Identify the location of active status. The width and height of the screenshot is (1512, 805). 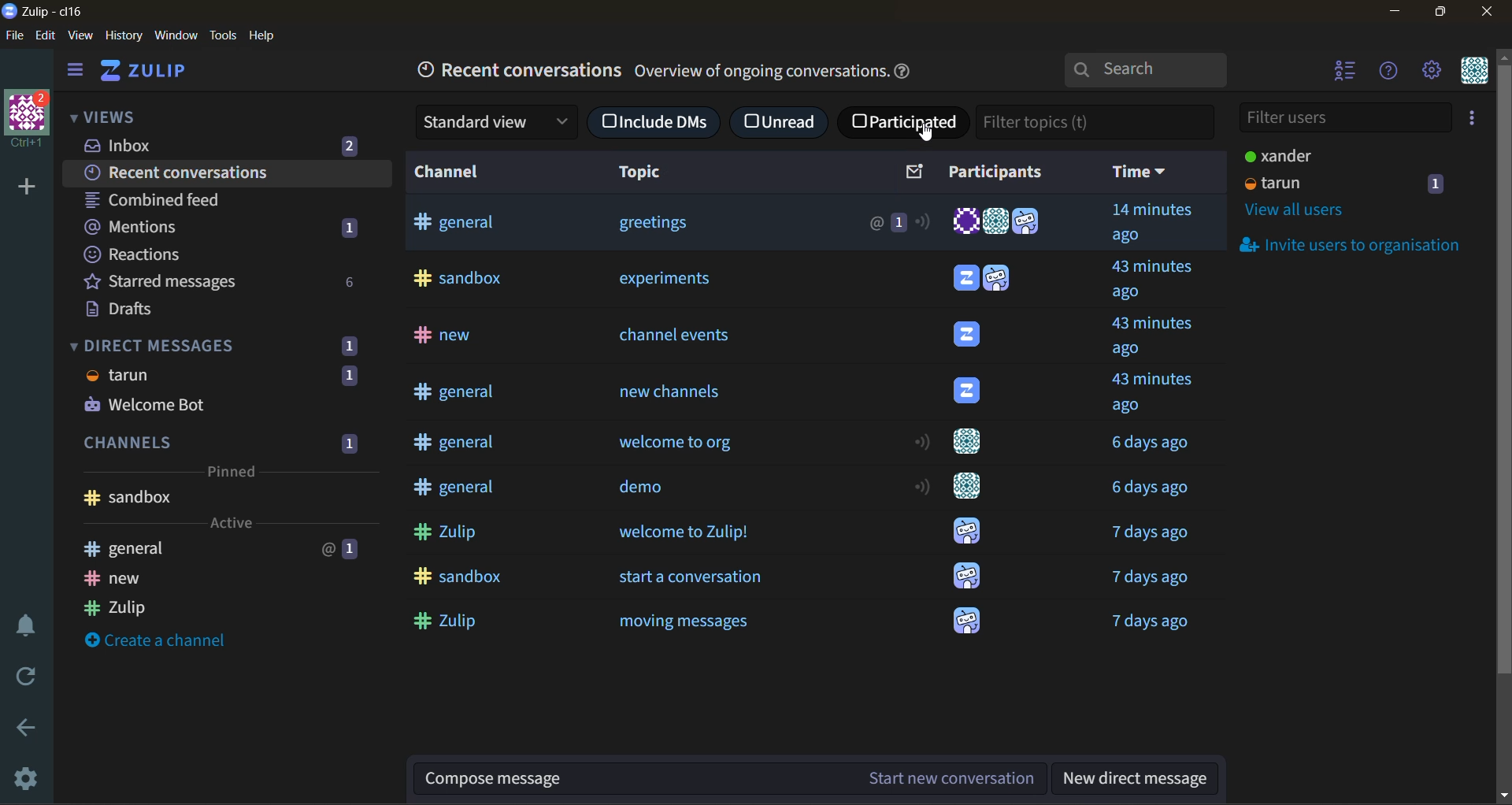
(921, 442).